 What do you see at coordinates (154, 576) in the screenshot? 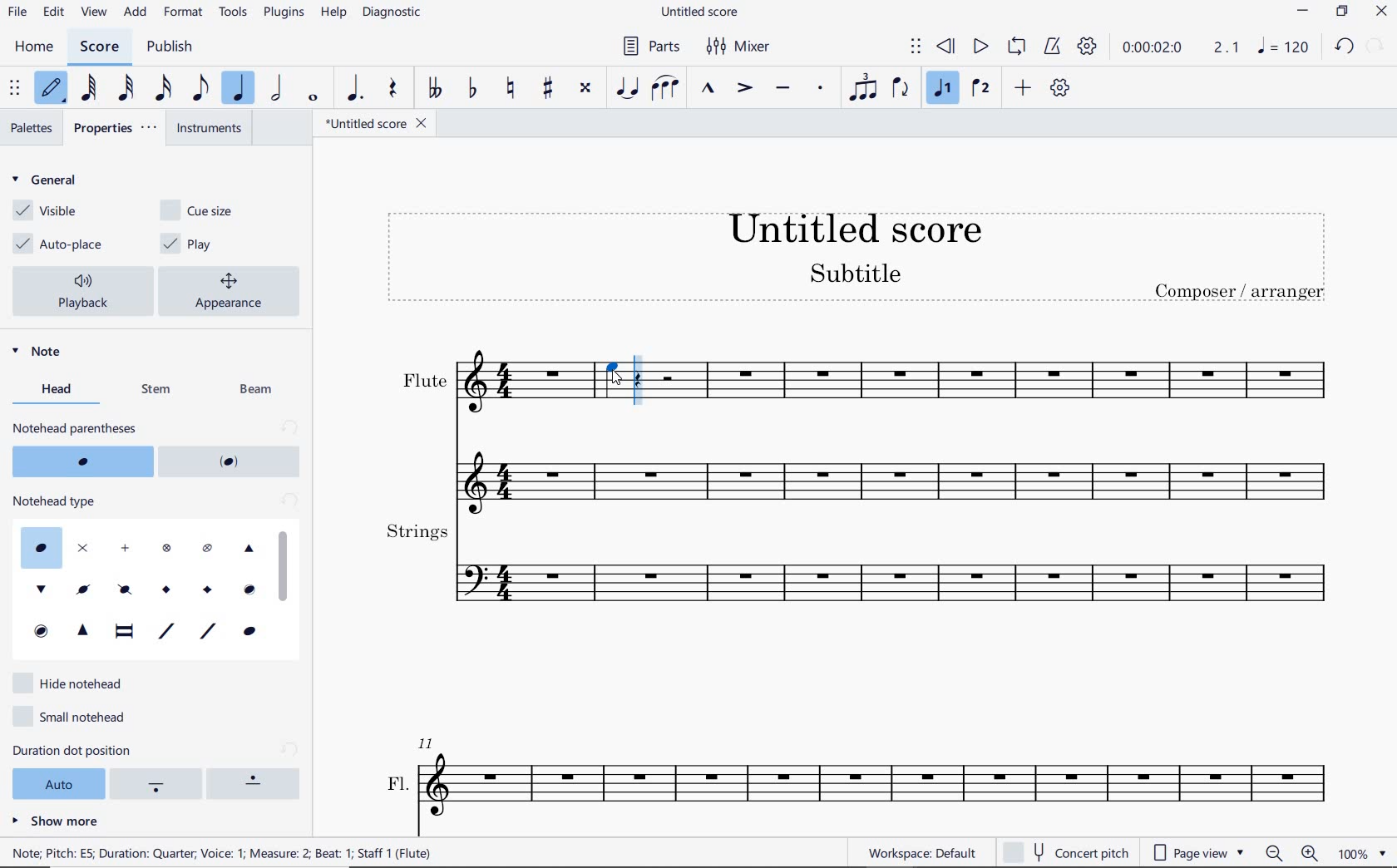
I see `NOTEHEAD TYPE` at bounding box center [154, 576].